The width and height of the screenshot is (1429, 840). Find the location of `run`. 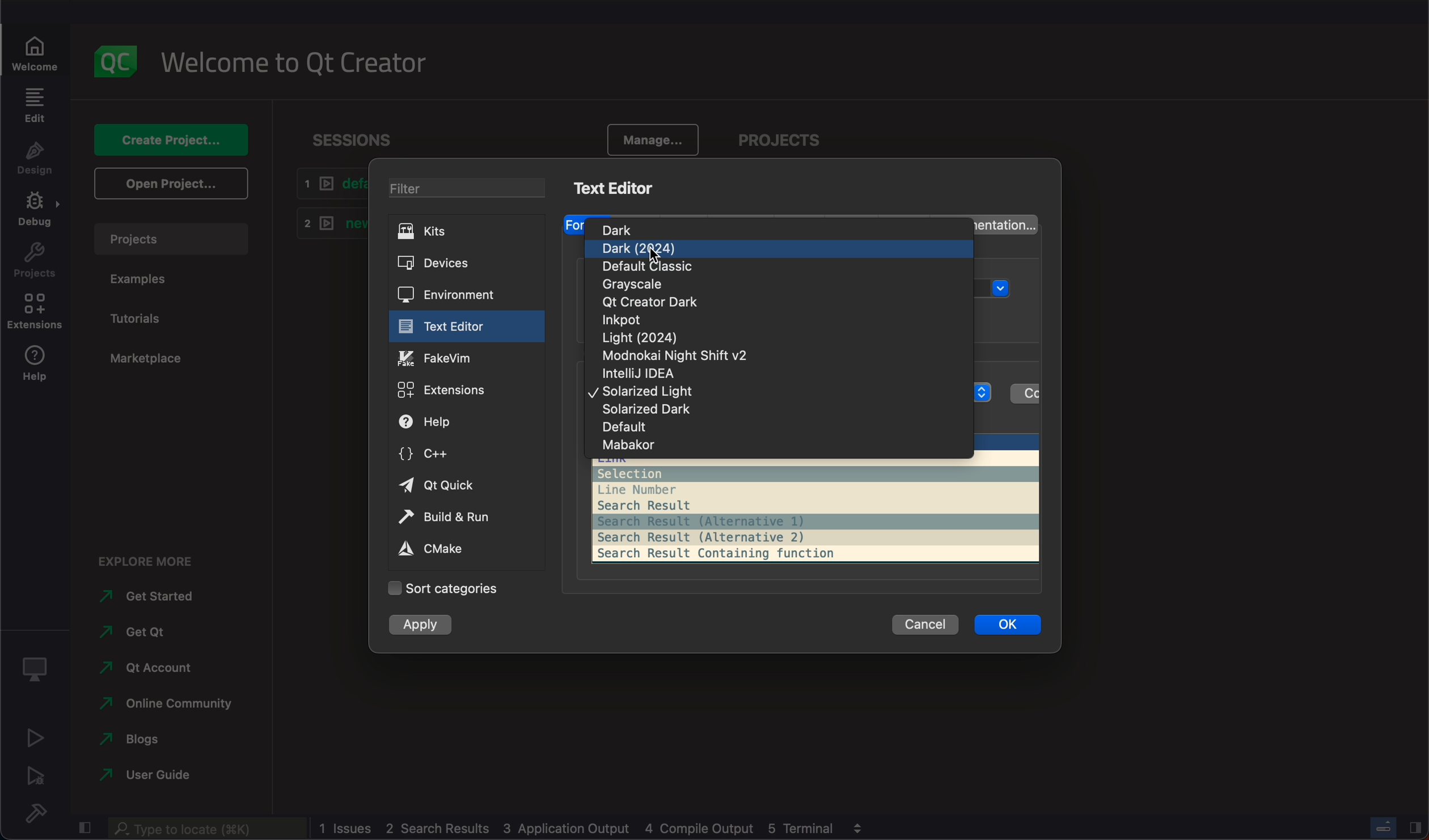

run is located at coordinates (32, 740).